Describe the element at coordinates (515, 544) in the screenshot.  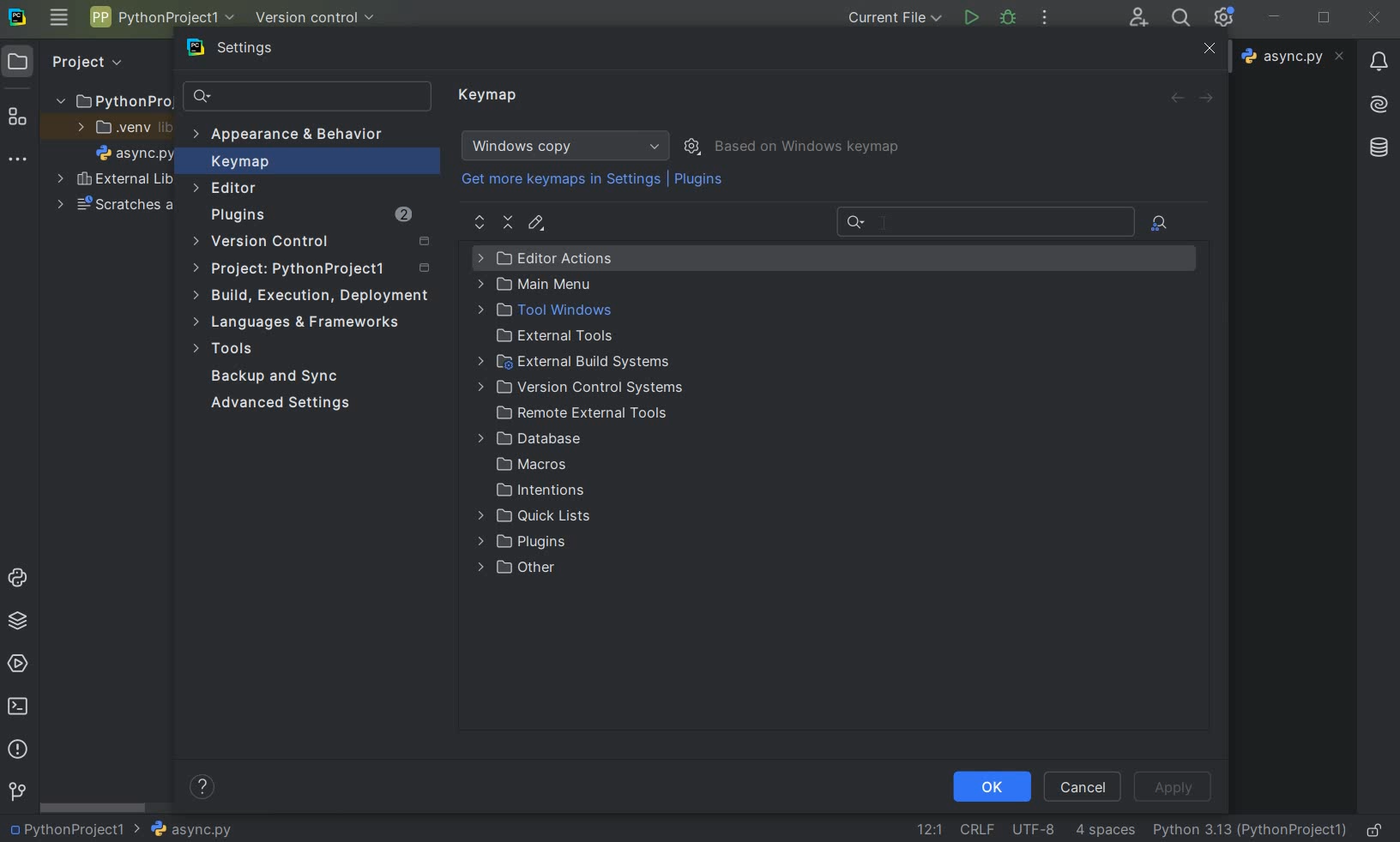
I see `plugins` at that location.